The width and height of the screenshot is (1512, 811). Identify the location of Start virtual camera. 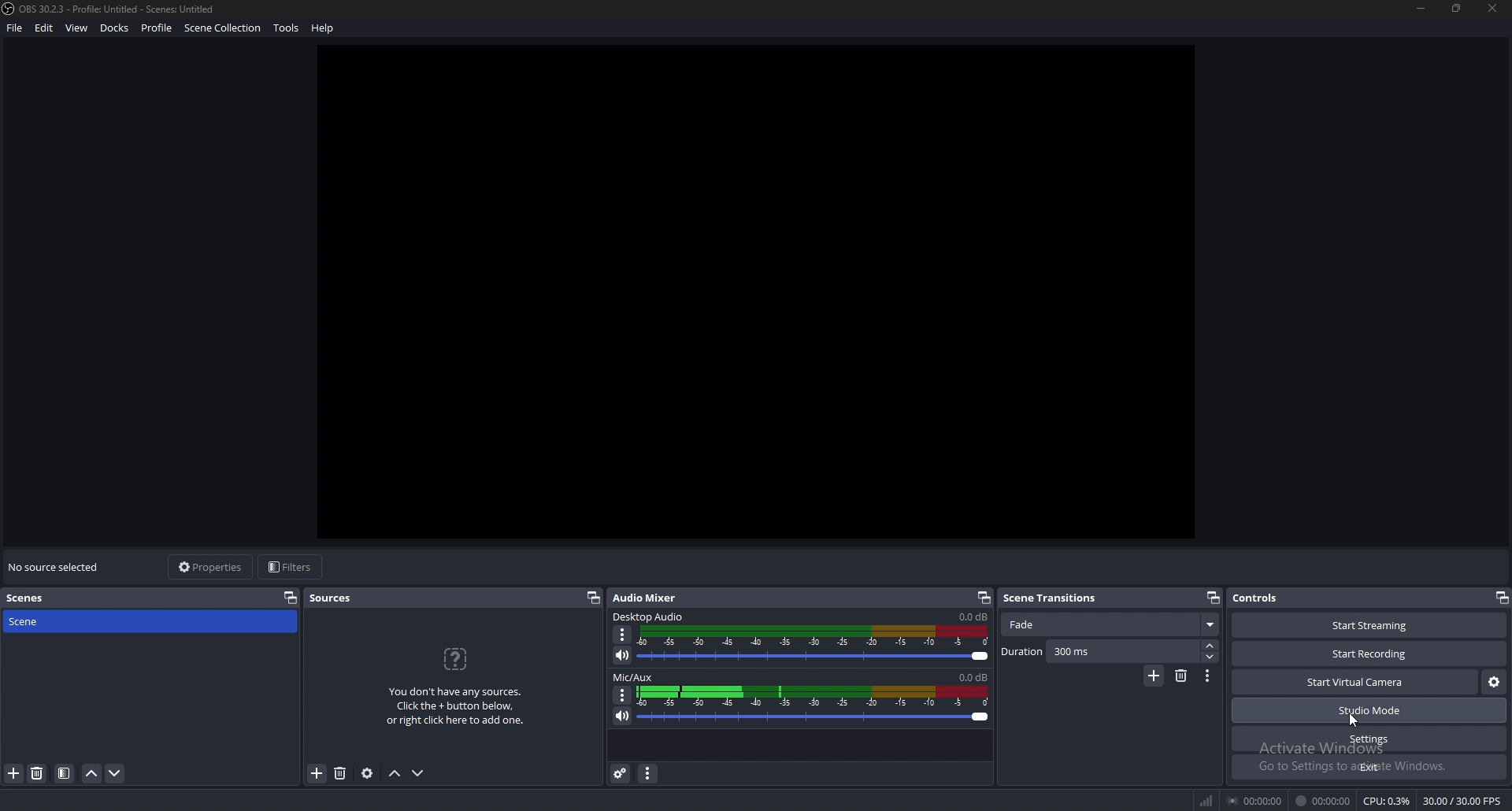
(1355, 682).